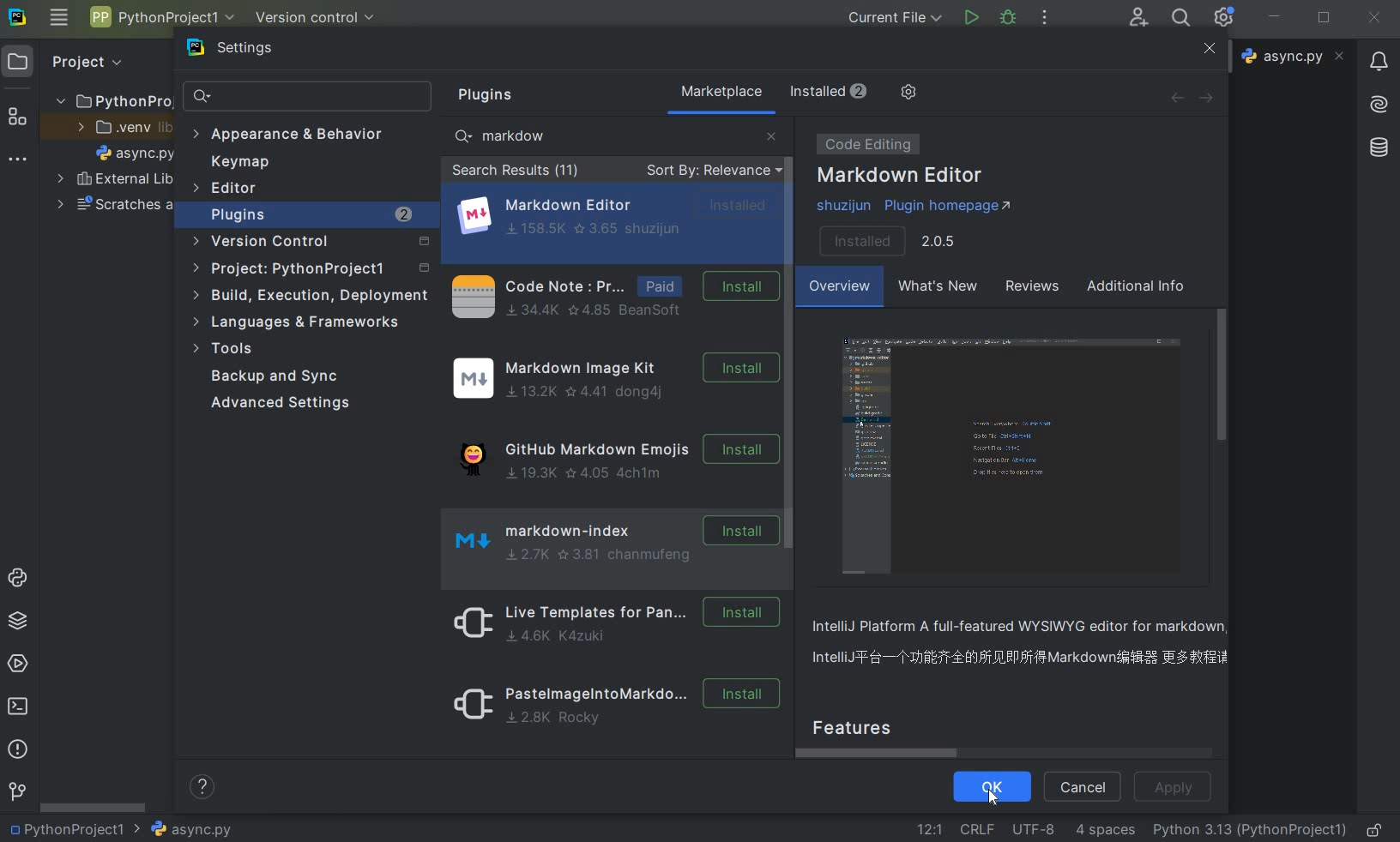  Describe the element at coordinates (1378, 148) in the screenshot. I see `database` at that location.